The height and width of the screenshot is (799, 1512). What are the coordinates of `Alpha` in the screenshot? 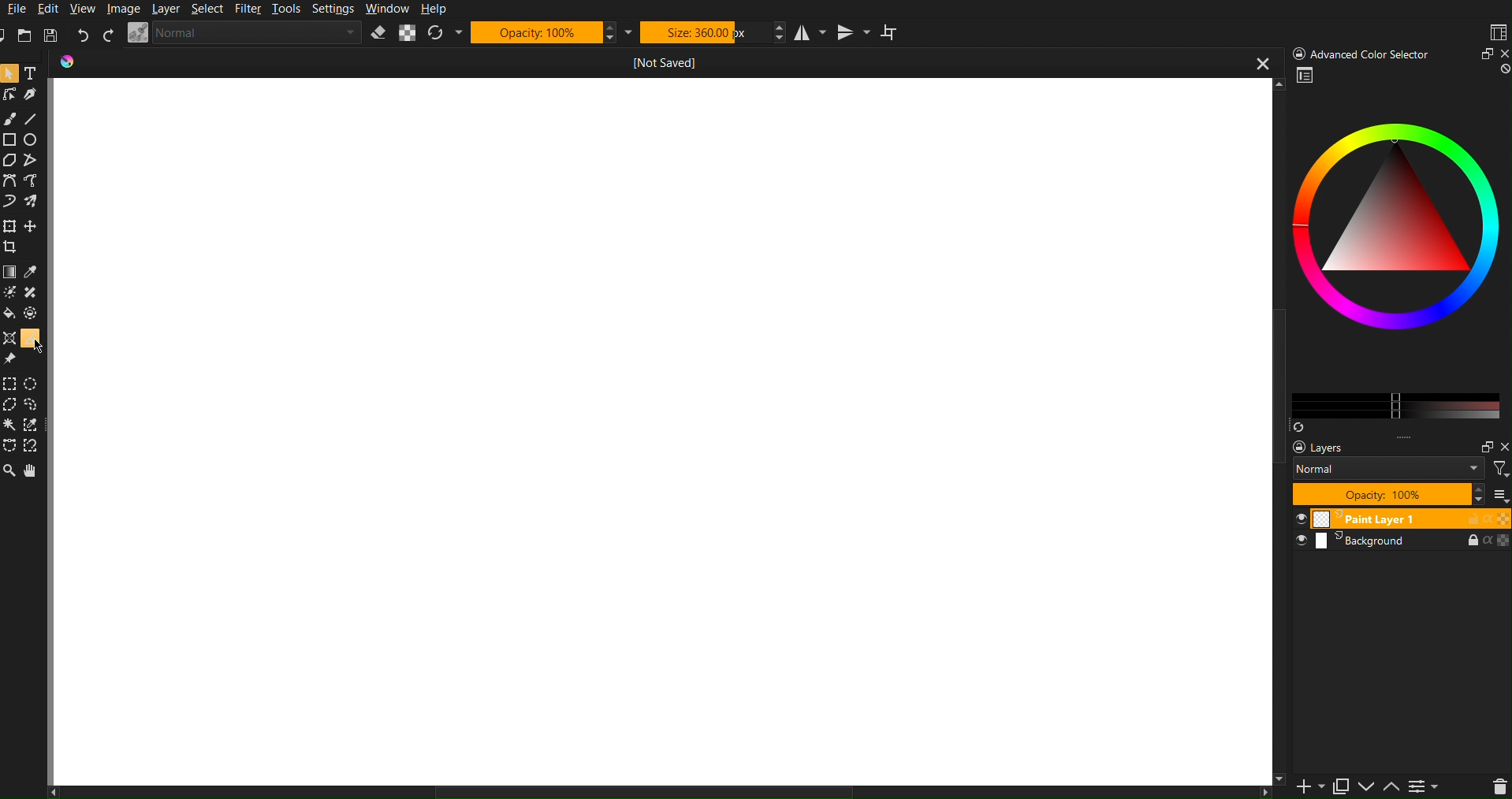 It's located at (408, 33).